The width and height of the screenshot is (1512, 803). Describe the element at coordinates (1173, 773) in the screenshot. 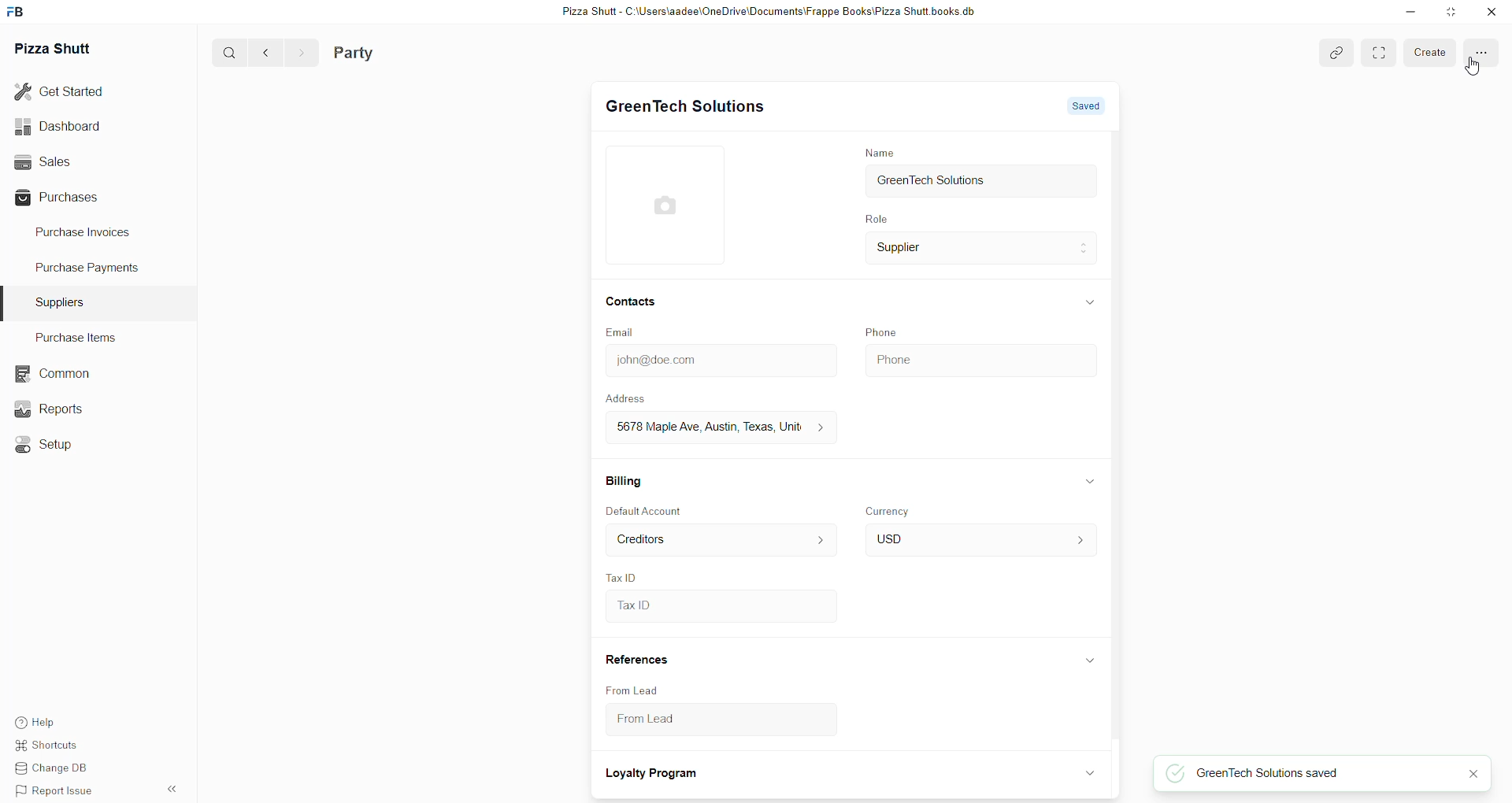

I see `tick mark` at that location.